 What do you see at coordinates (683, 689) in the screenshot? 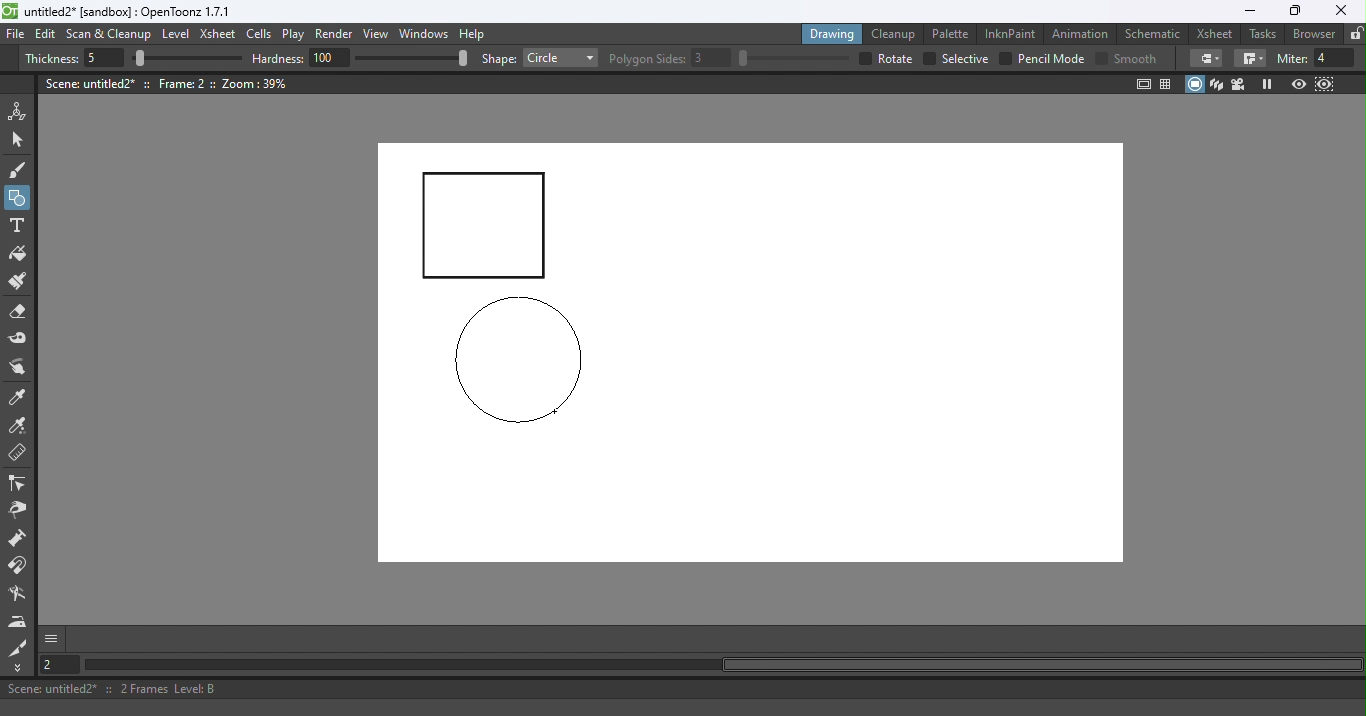
I see `Status bar` at bounding box center [683, 689].